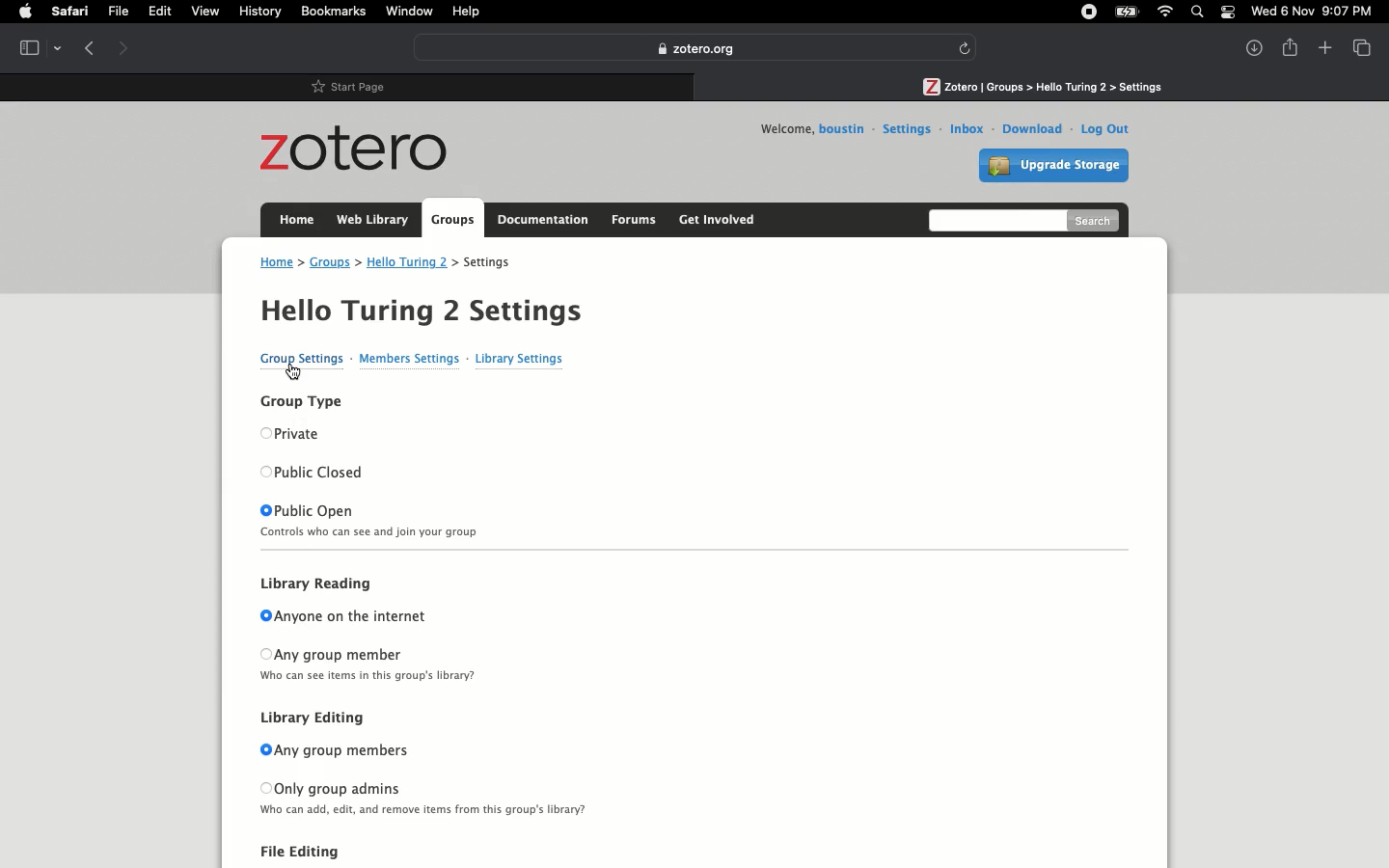 The image size is (1389, 868). Describe the element at coordinates (1042, 84) in the screenshot. I see `Path` at that location.